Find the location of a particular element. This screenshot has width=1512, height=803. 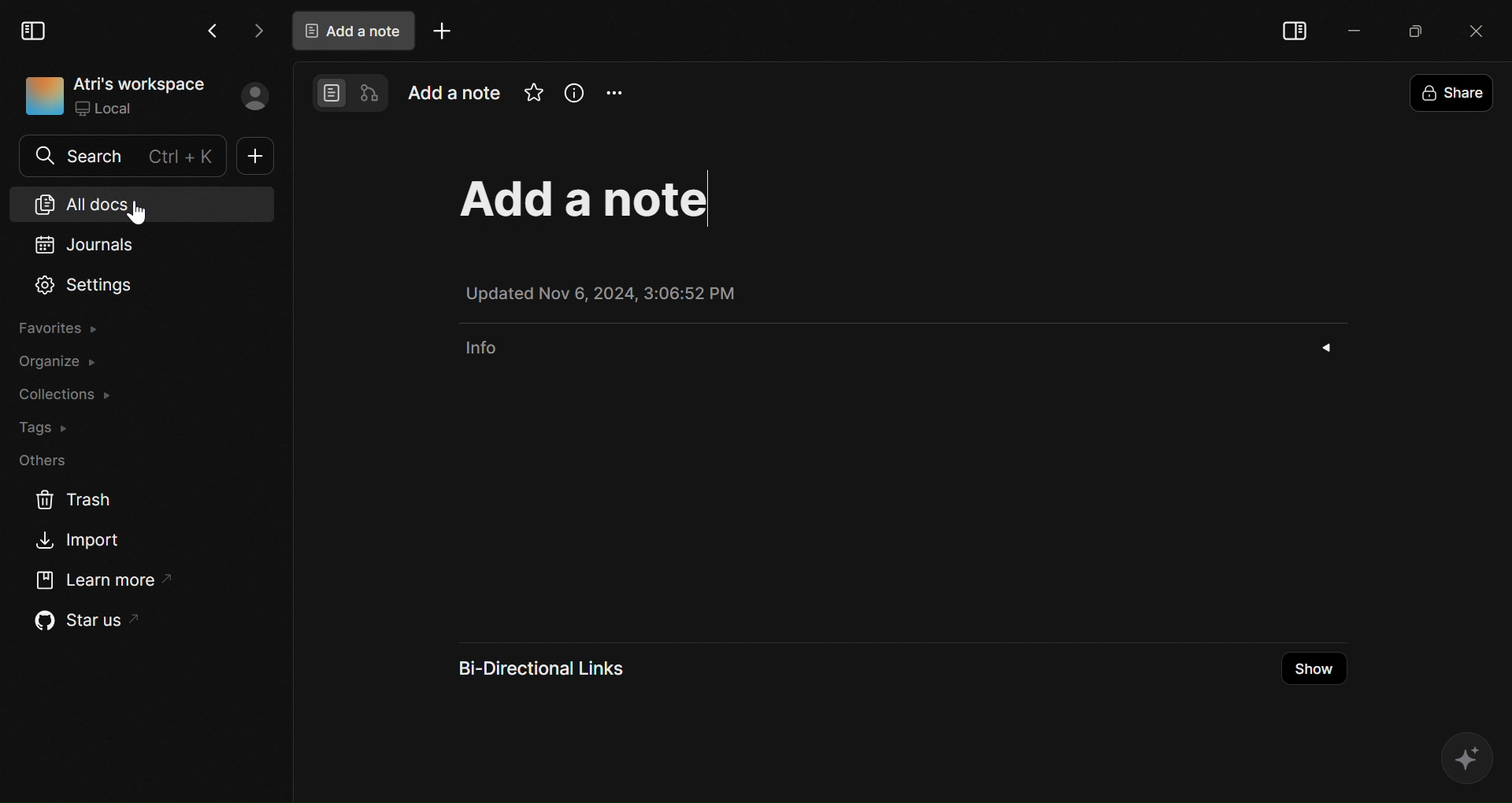

Go Back is located at coordinates (213, 31).